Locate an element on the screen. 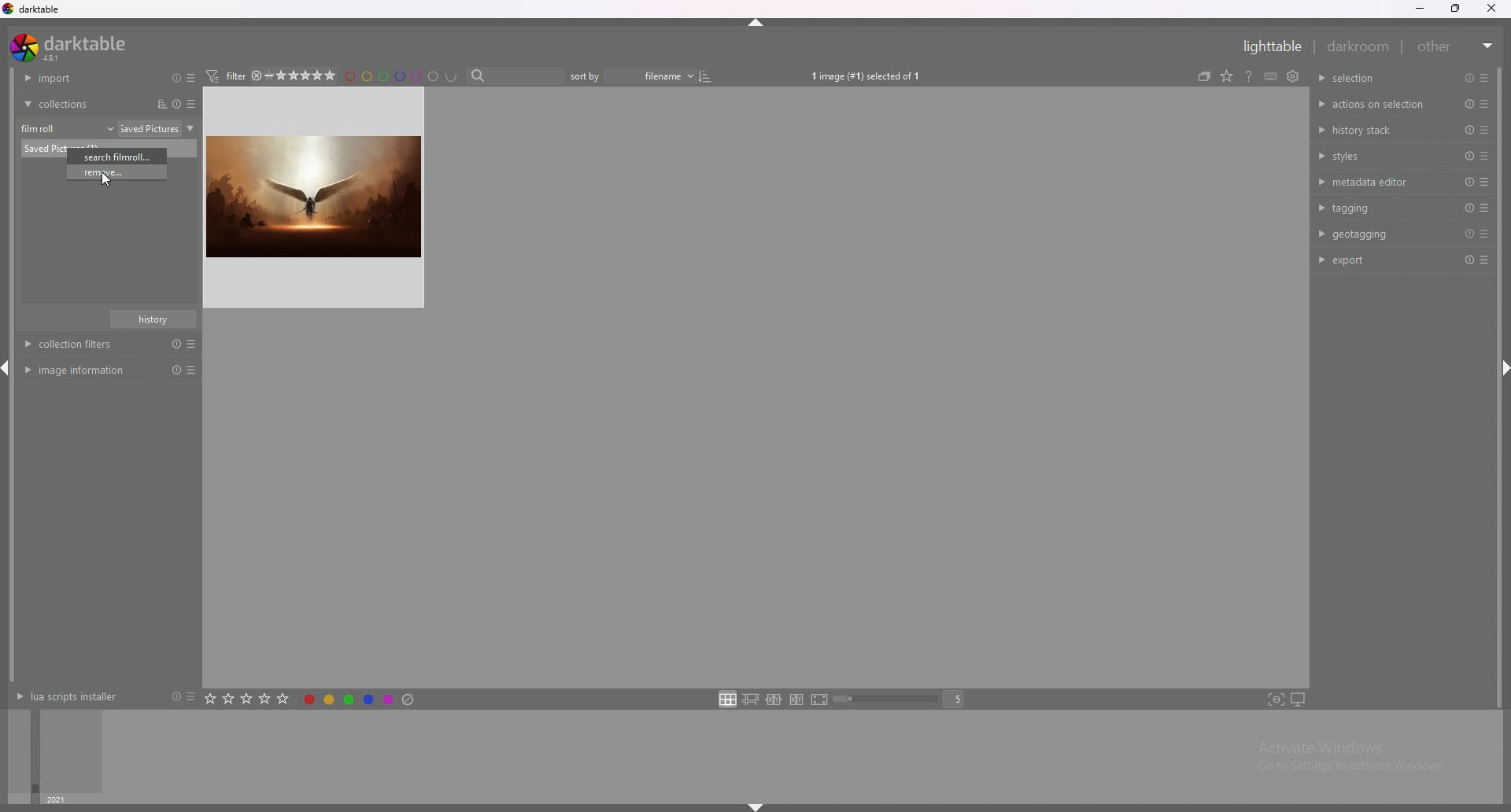 Image resolution: width=1511 pixels, height=812 pixels. geotagging is located at coordinates (1376, 234).